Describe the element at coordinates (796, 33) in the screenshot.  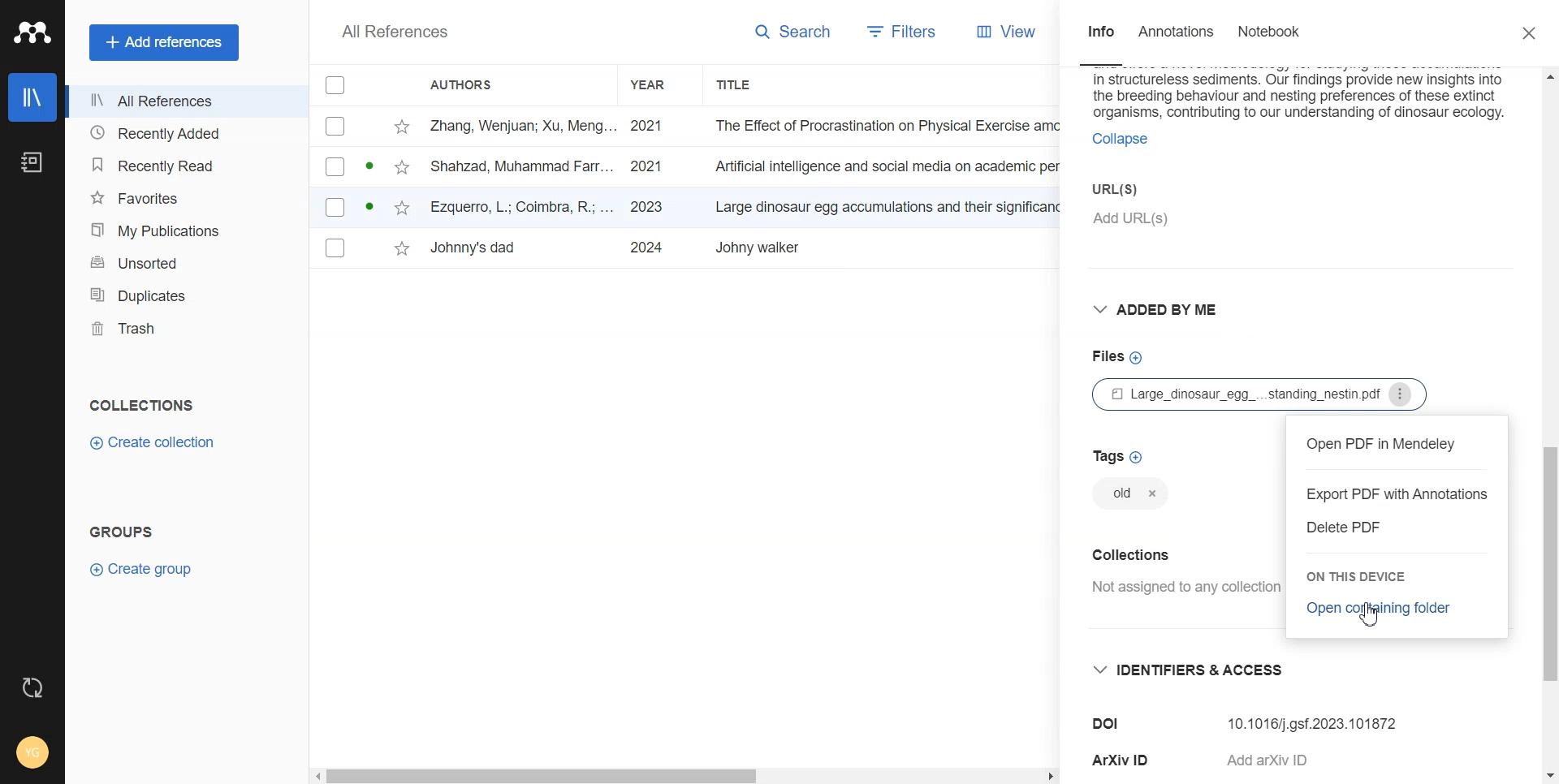
I see `Search` at that location.